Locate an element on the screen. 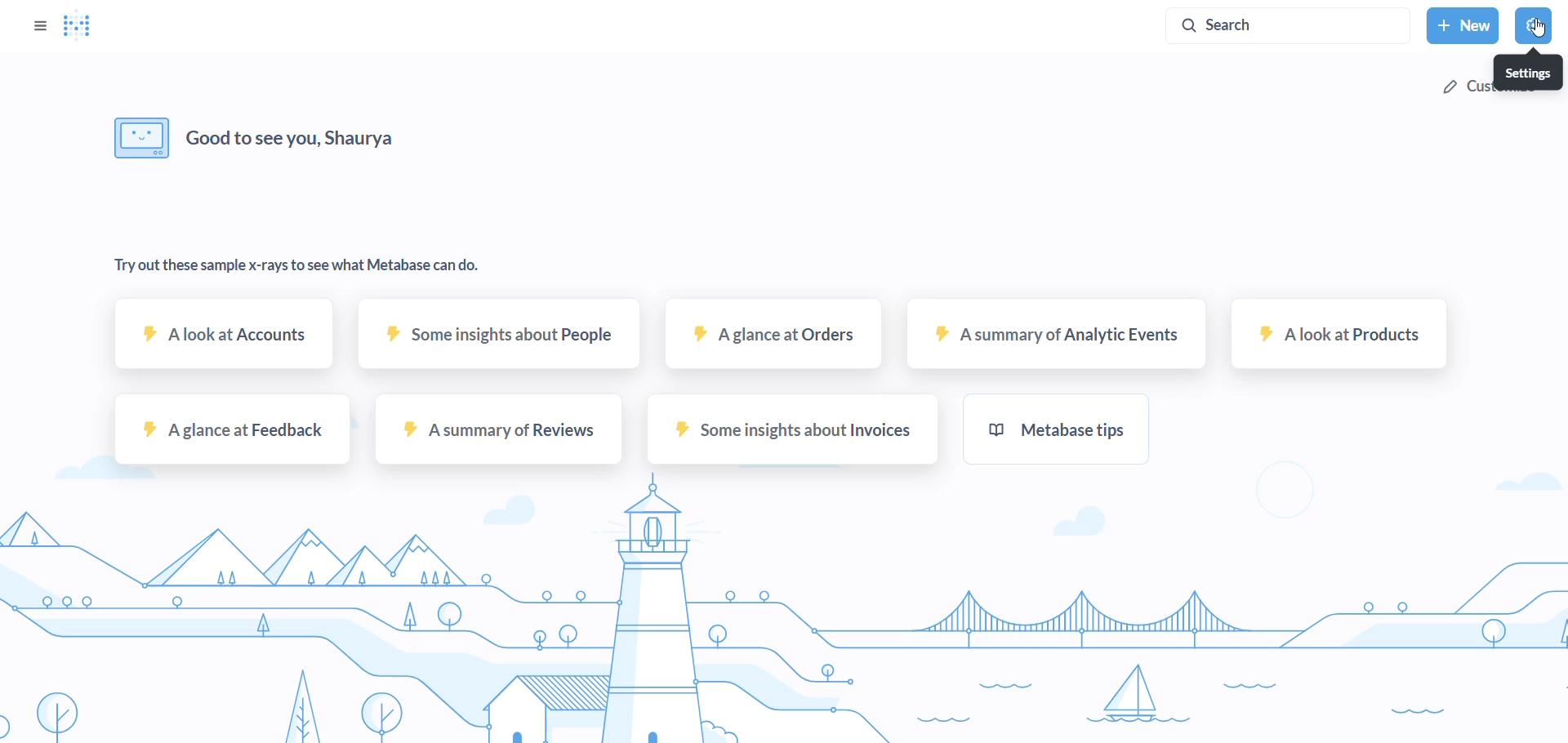 This screenshot has height=743, width=1568. metabase tips is located at coordinates (1055, 429).